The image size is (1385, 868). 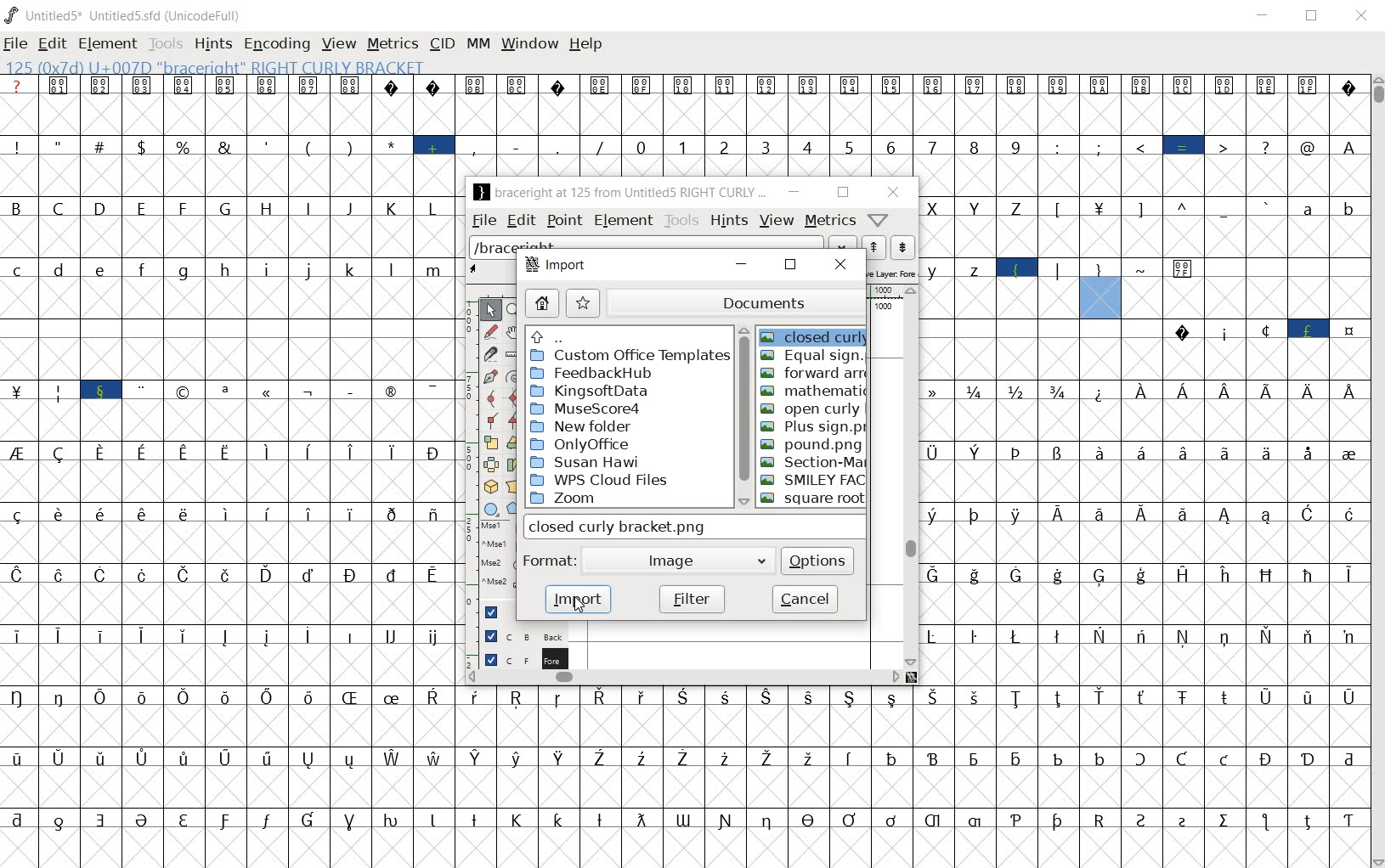 What do you see at coordinates (818, 561) in the screenshot?
I see `options` at bounding box center [818, 561].